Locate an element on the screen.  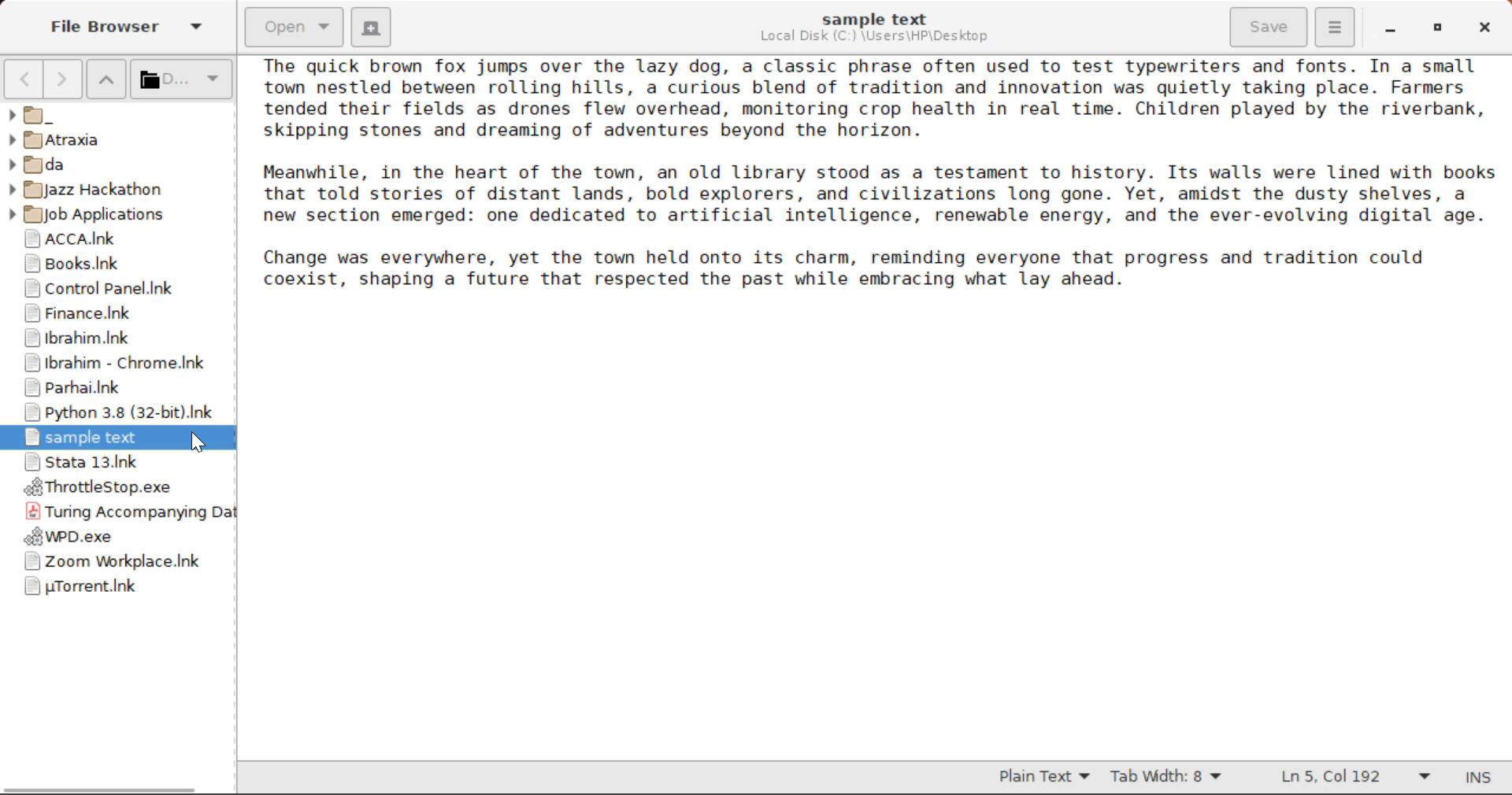
Job Applications Folder is located at coordinates (107, 217).